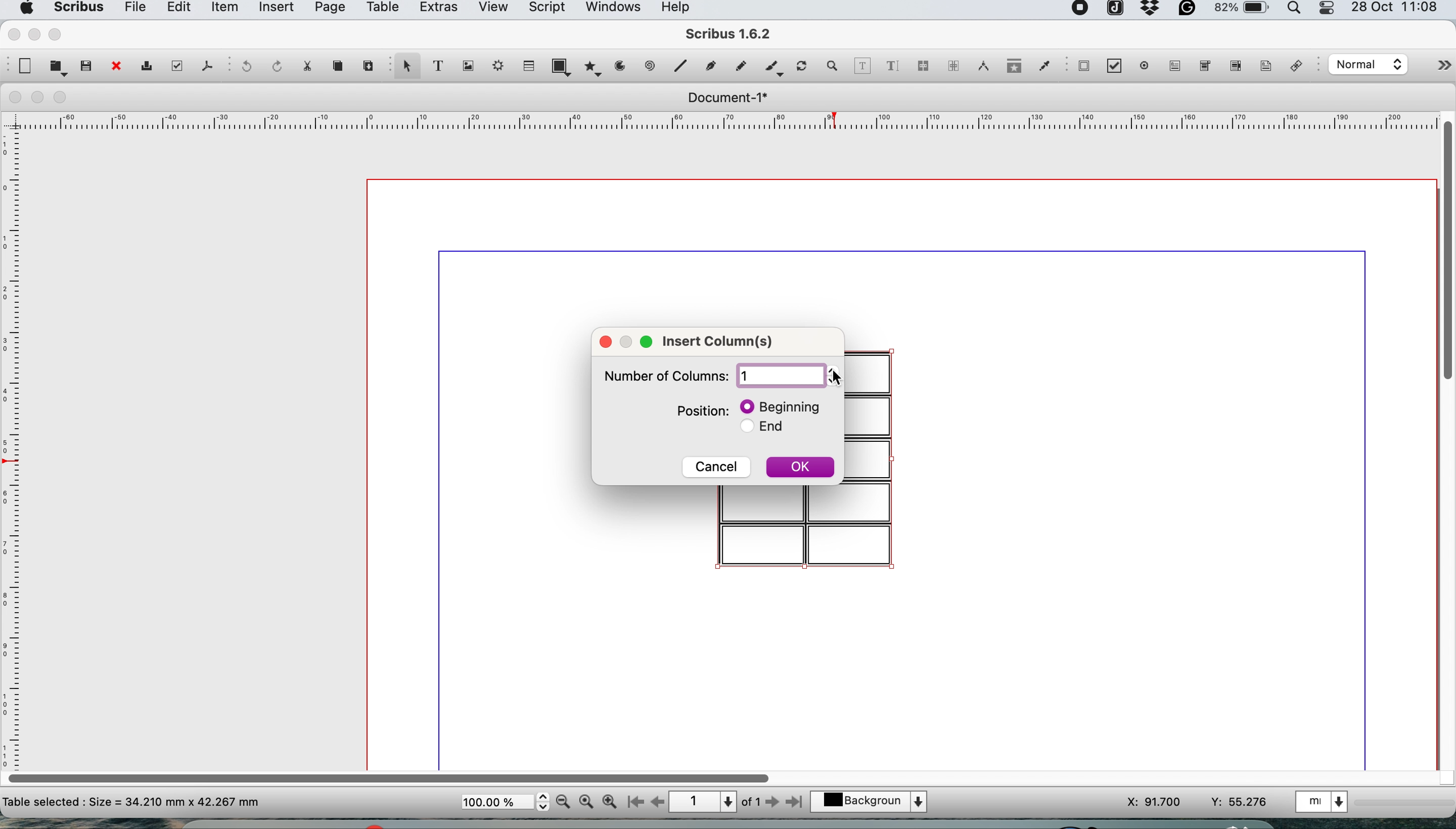 Image resolution: width=1456 pixels, height=829 pixels. Describe the element at coordinates (1365, 64) in the screenshot. I see `select the image preview quality` at that location.